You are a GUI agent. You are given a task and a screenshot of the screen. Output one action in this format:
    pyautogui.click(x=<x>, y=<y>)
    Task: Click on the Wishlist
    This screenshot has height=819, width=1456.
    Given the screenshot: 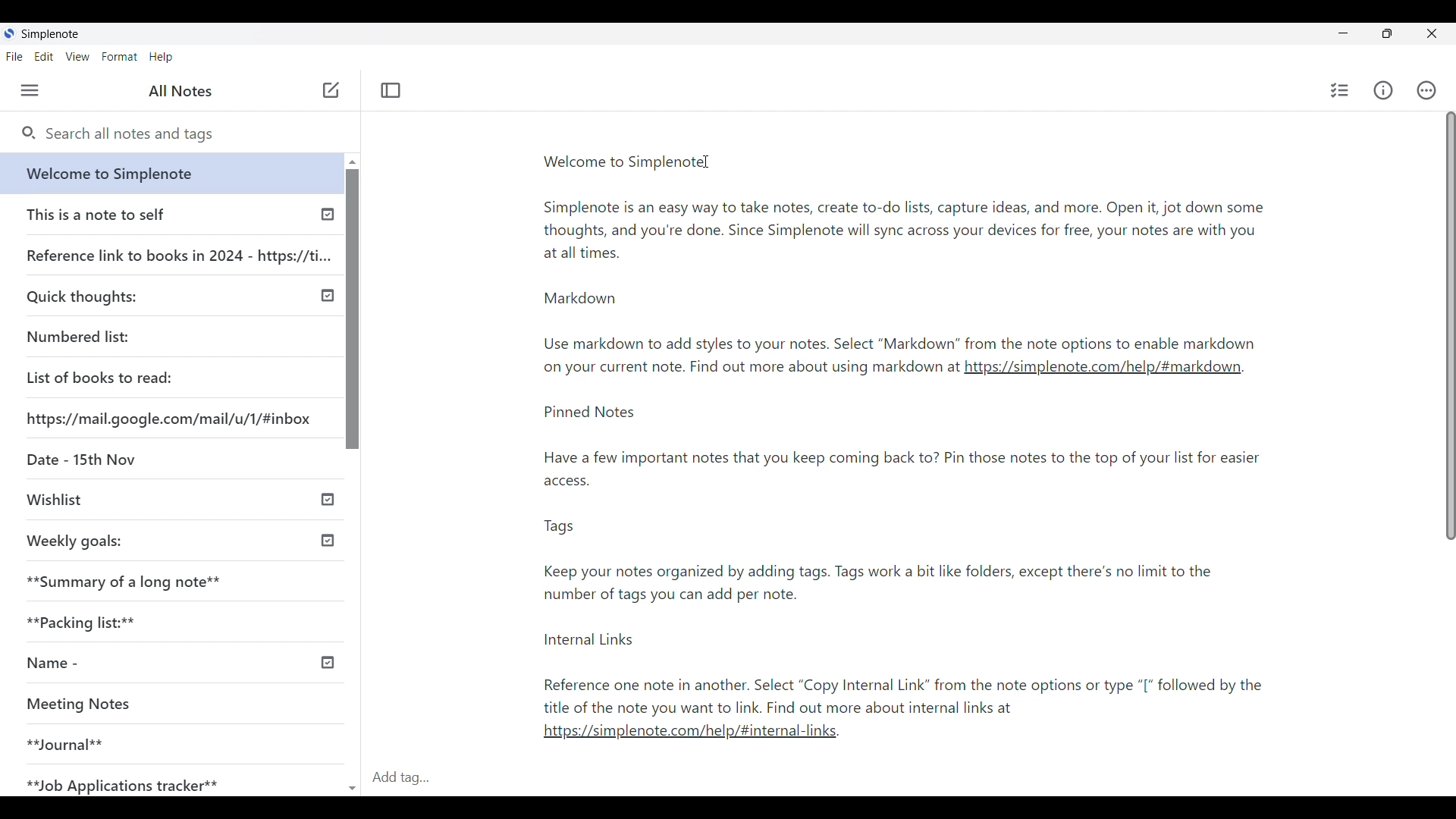 What is the action you would take?
    pyautogui.click(x=54, y=497)
    